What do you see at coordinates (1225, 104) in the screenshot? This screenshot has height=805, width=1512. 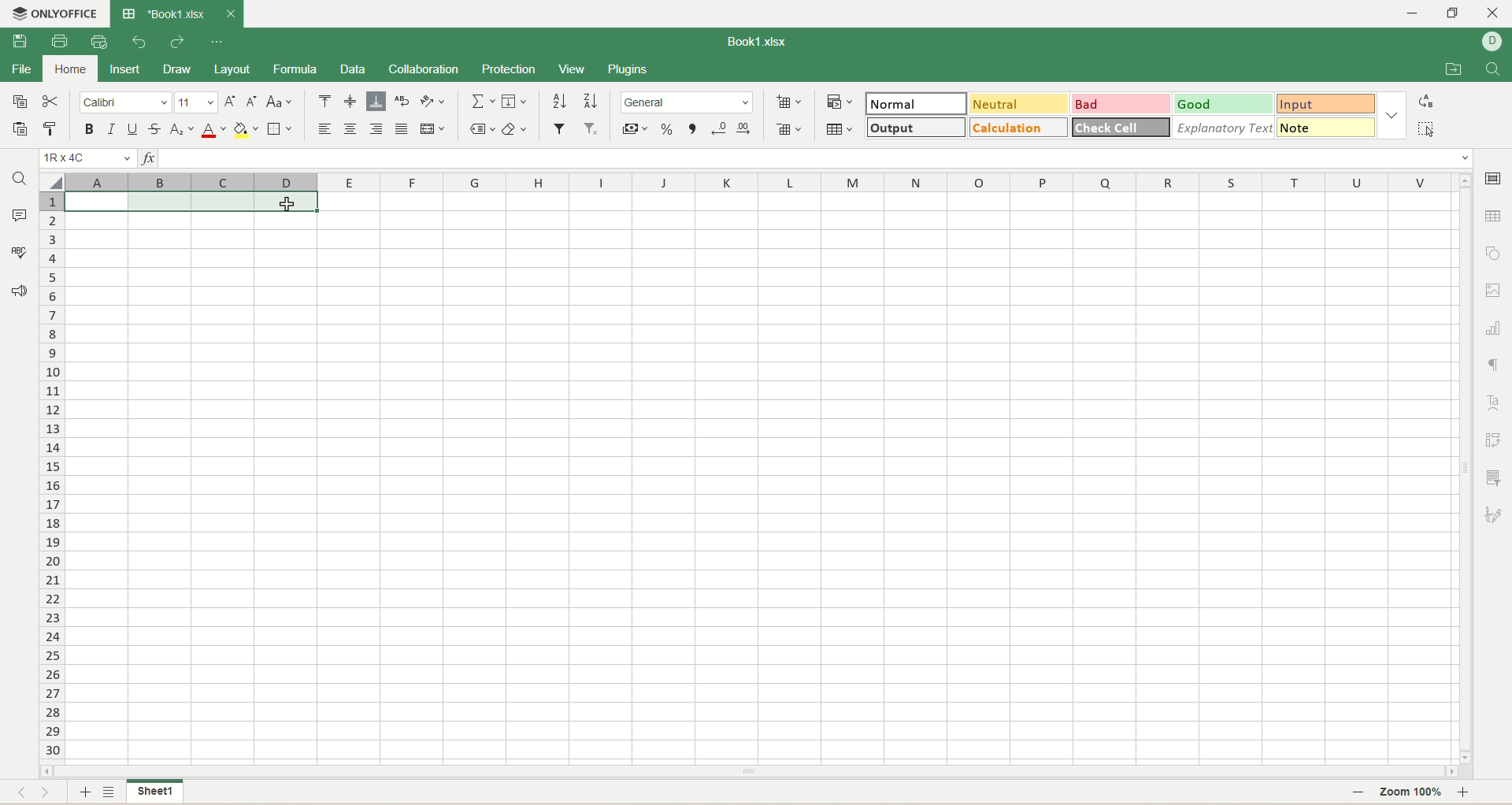 I see `good` at bounding box center [1225, 104].